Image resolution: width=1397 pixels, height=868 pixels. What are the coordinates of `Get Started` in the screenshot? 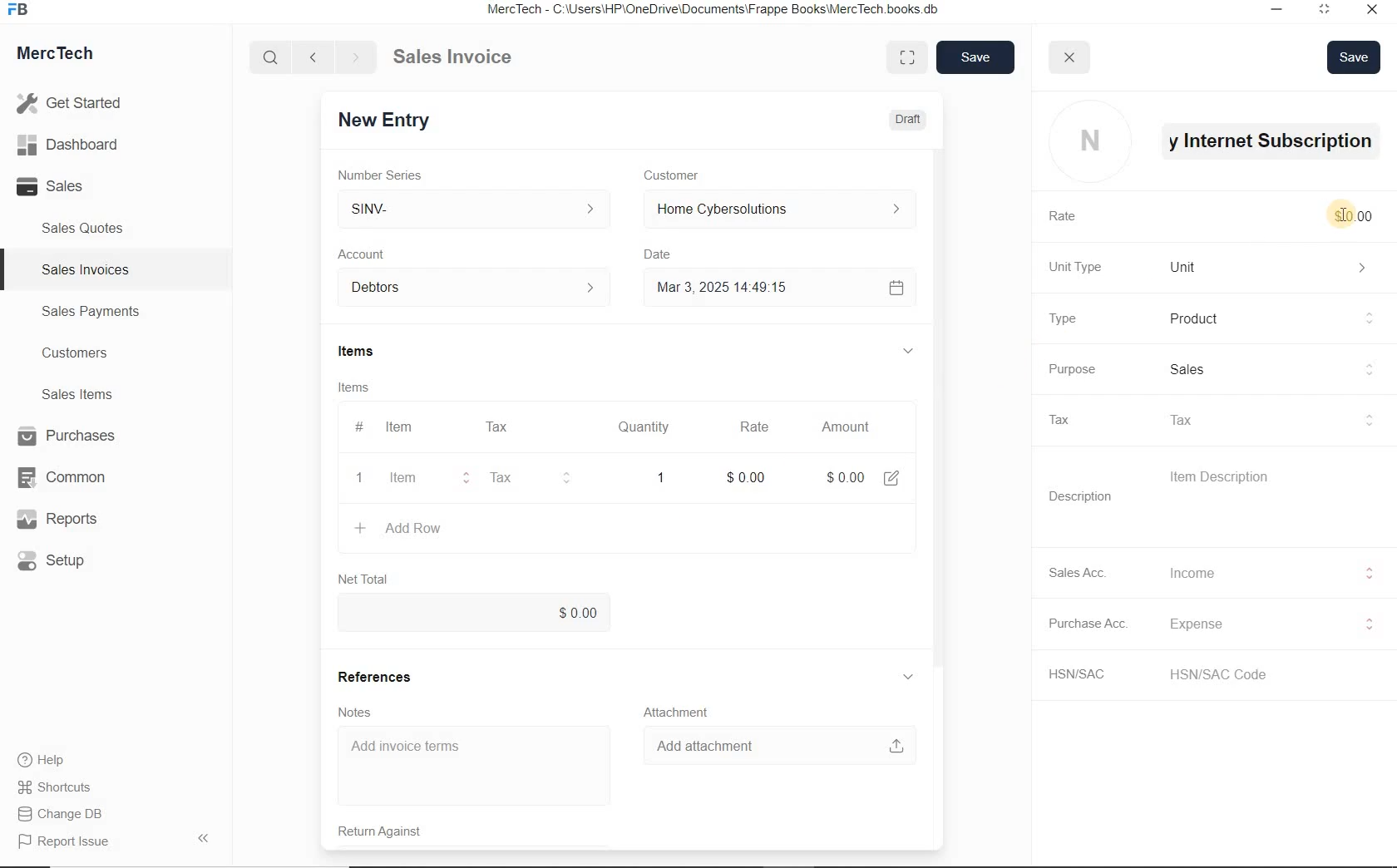 It's located at (75, 103).